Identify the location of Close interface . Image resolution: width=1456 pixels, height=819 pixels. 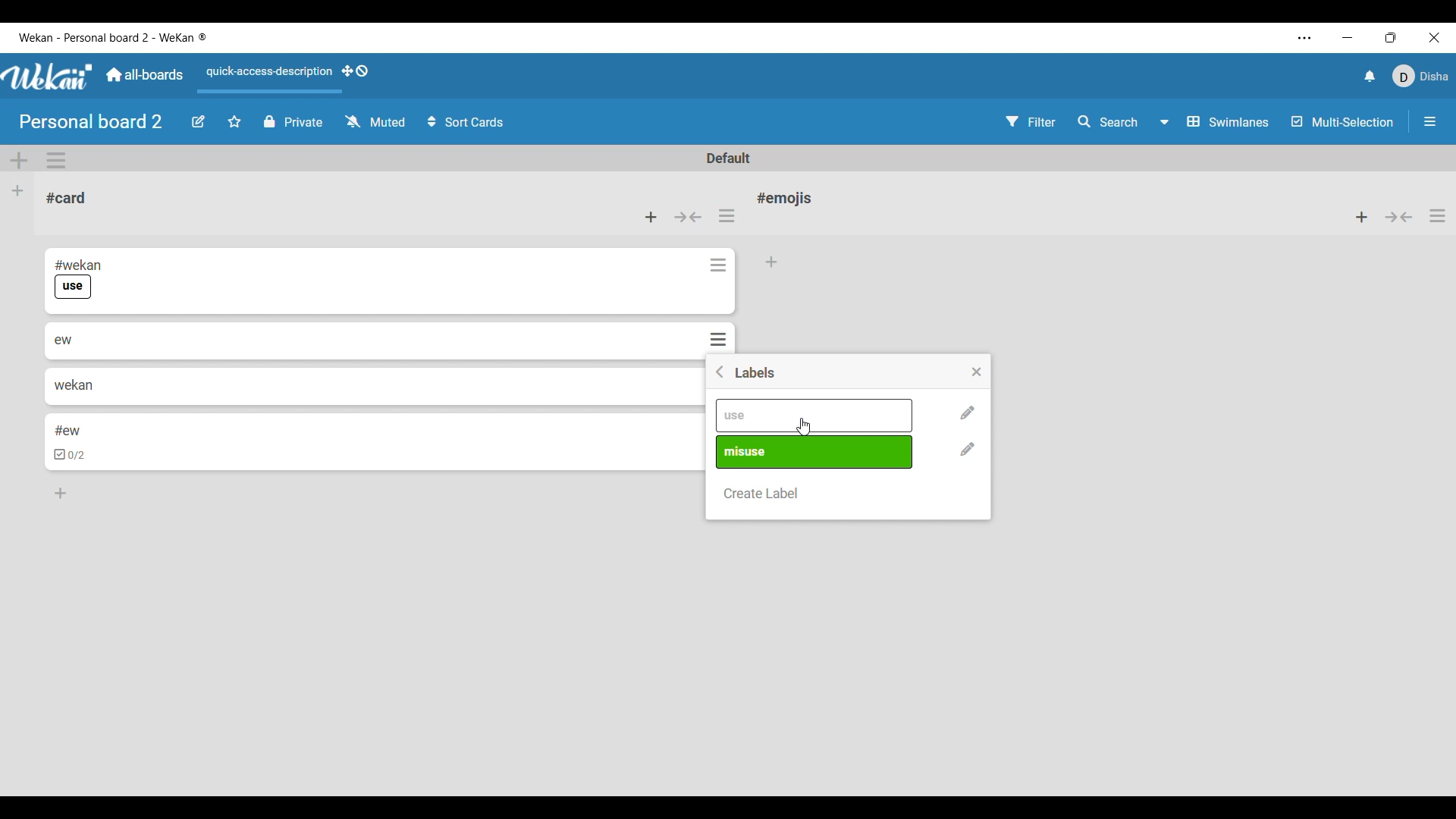
(1435, 37).